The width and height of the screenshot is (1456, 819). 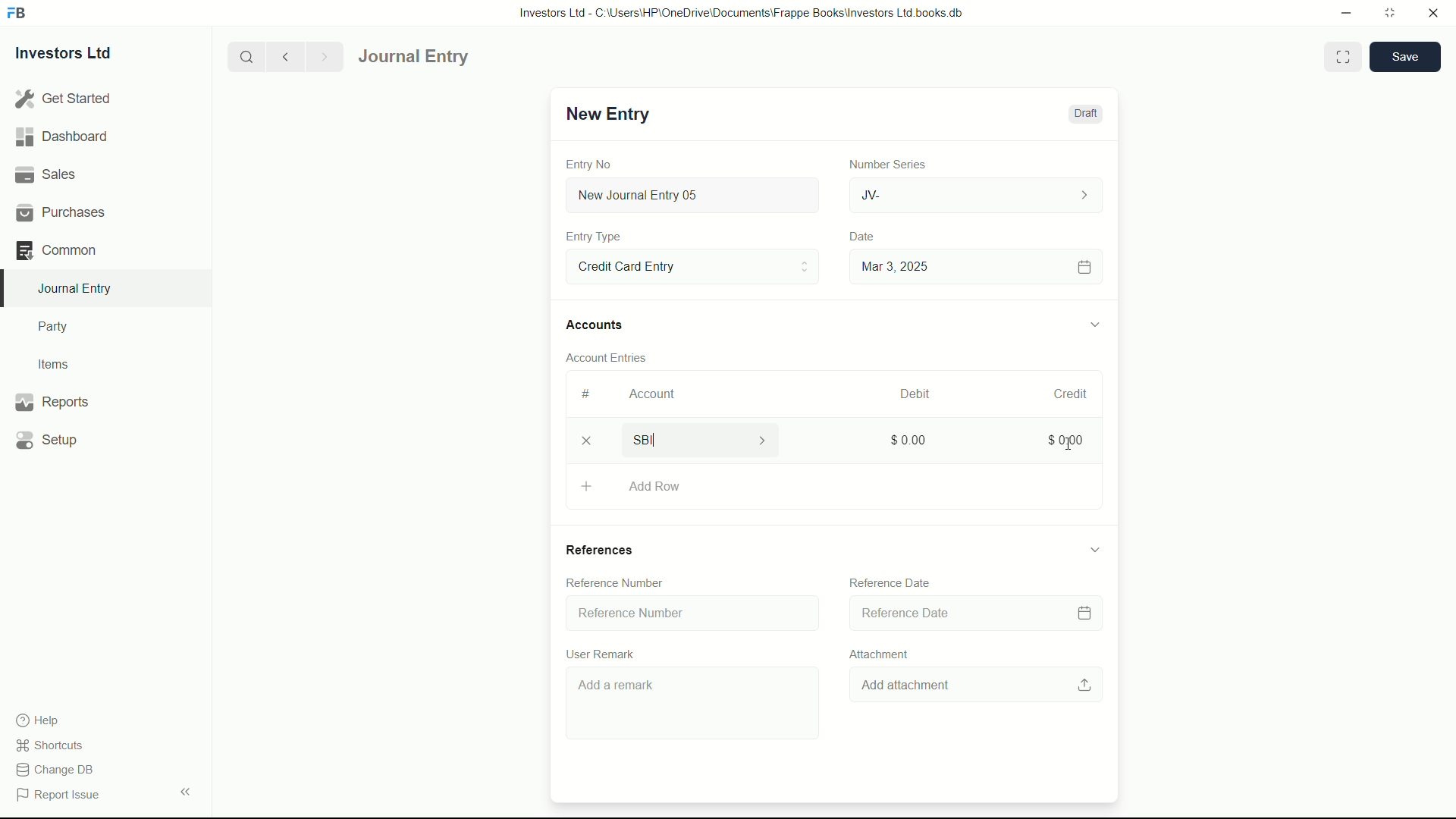 What do you see at coordinates (974, 266) in the screenshot?
I see `Mar 3, 2025` at bounding box center [974, 266].